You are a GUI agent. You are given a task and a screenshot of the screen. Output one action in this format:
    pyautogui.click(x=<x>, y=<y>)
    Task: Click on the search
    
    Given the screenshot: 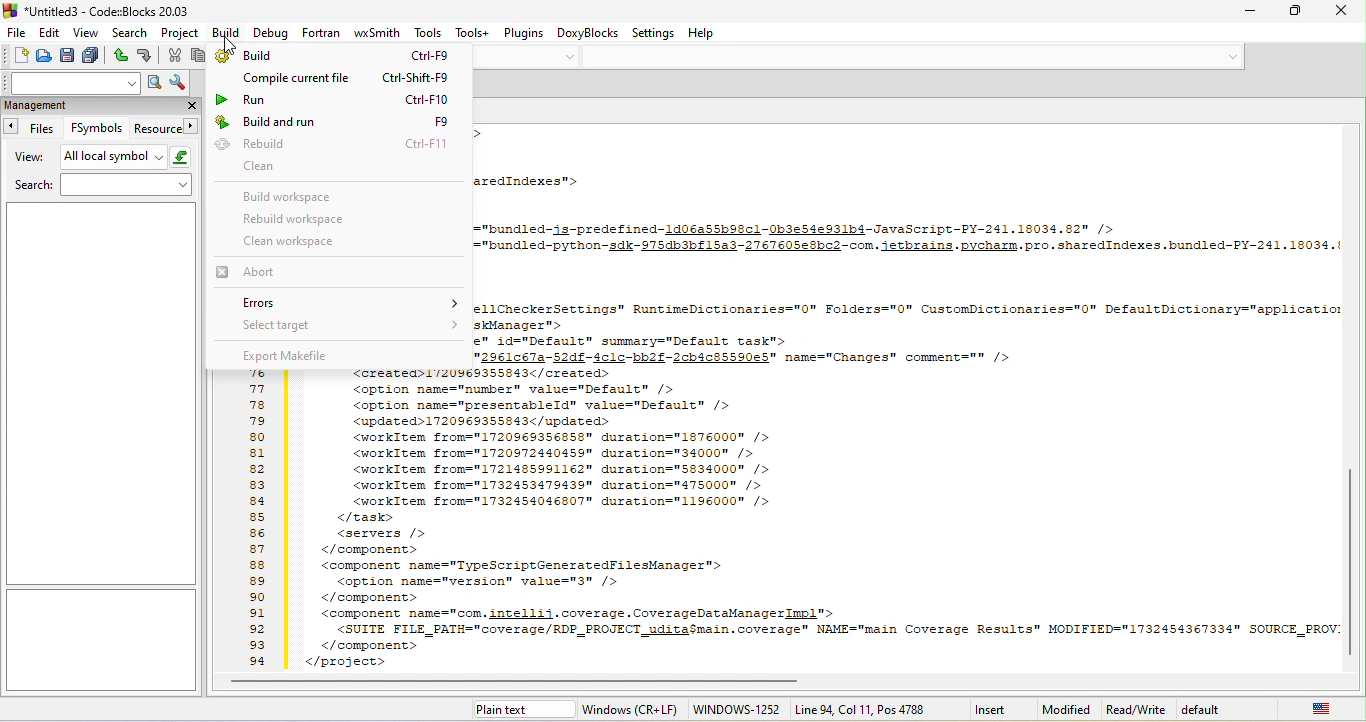 What is the action you would take?
    pyautogui.click(x=131, y=34)
    